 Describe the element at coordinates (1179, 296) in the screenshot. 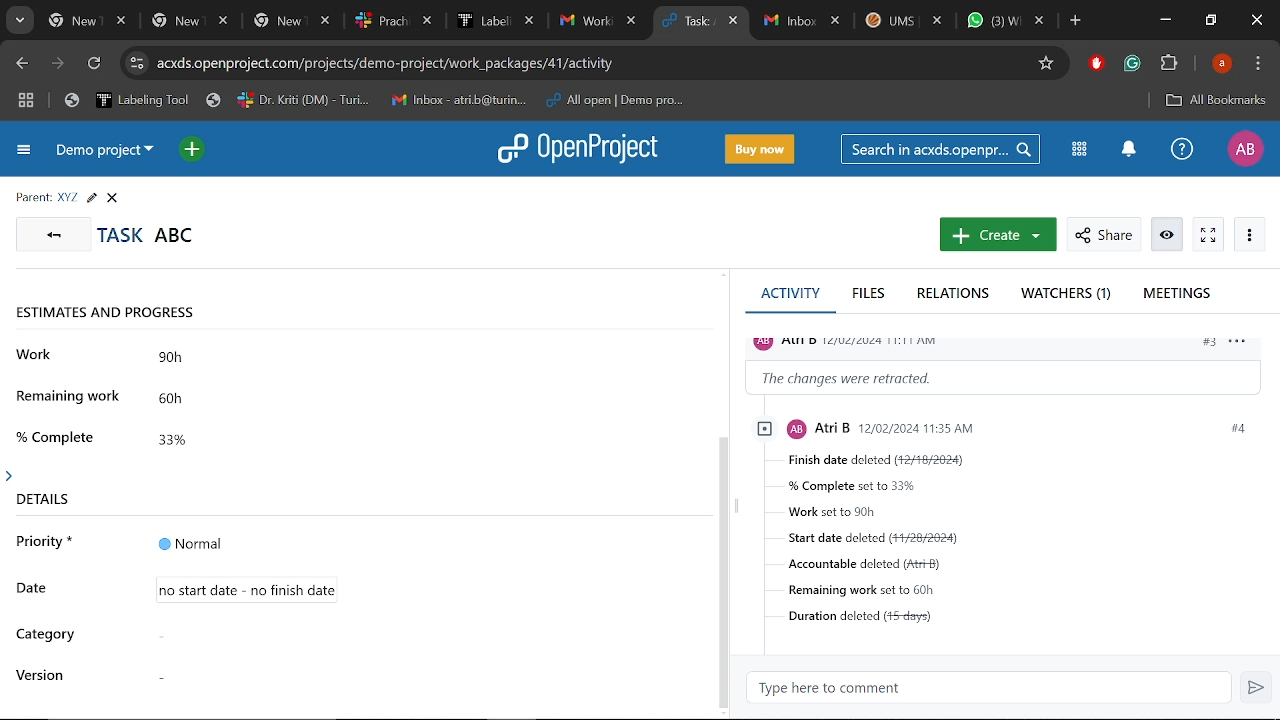

I see `Meetings` at that location.